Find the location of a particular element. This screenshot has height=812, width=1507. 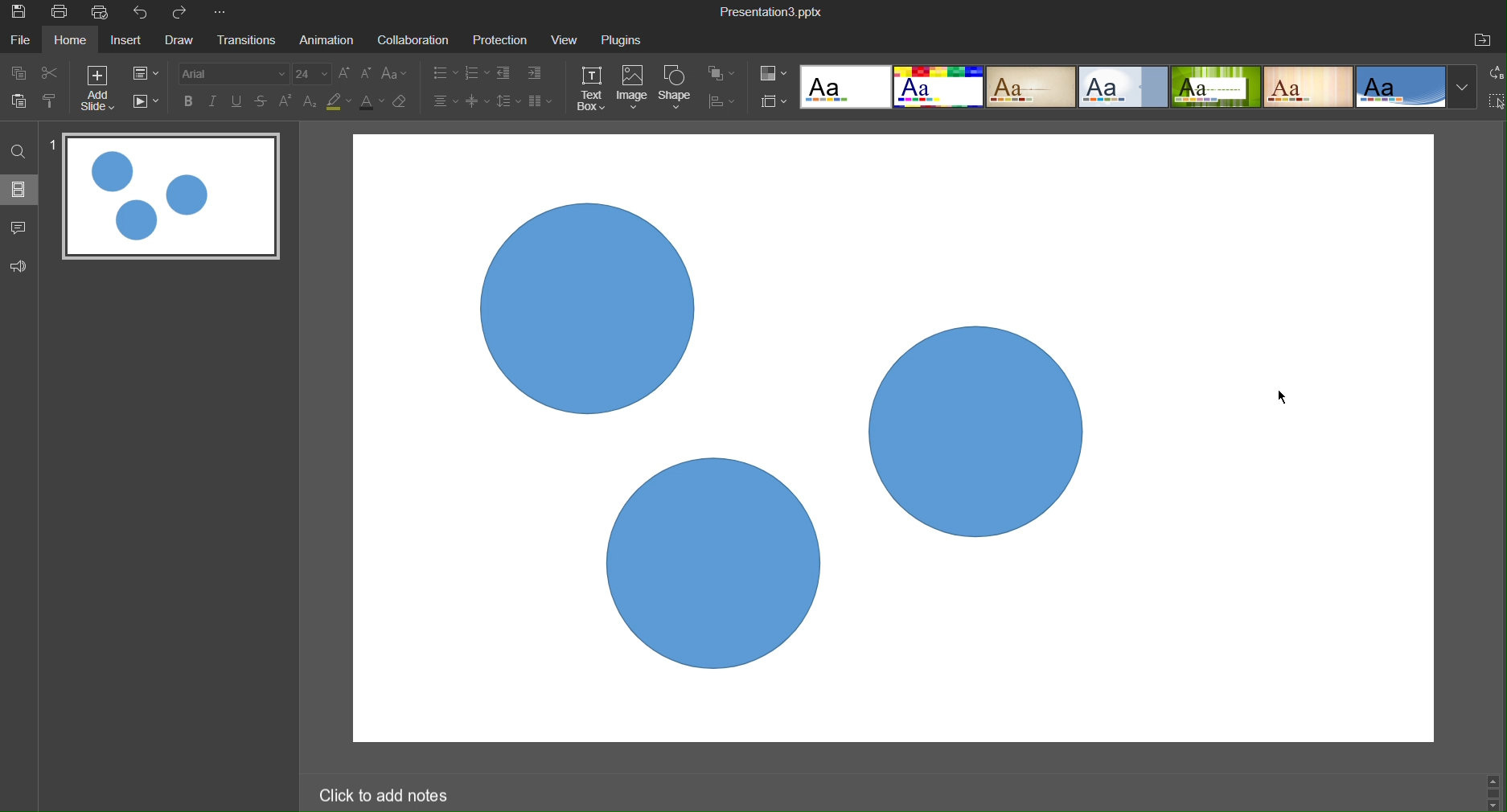

Insert is located at coordinates (132, 43).